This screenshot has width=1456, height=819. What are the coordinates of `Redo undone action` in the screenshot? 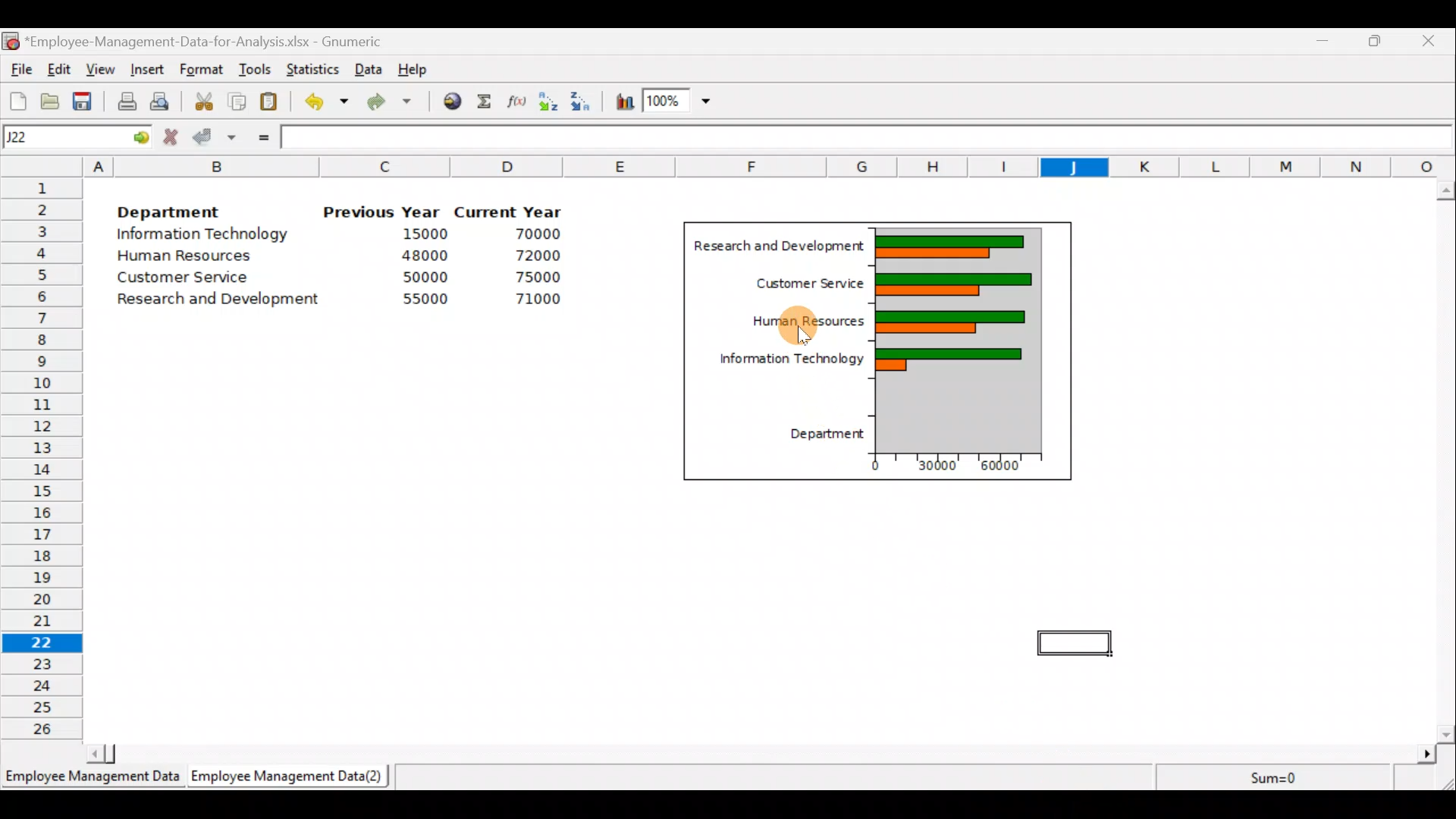 It's located at (397, 103).